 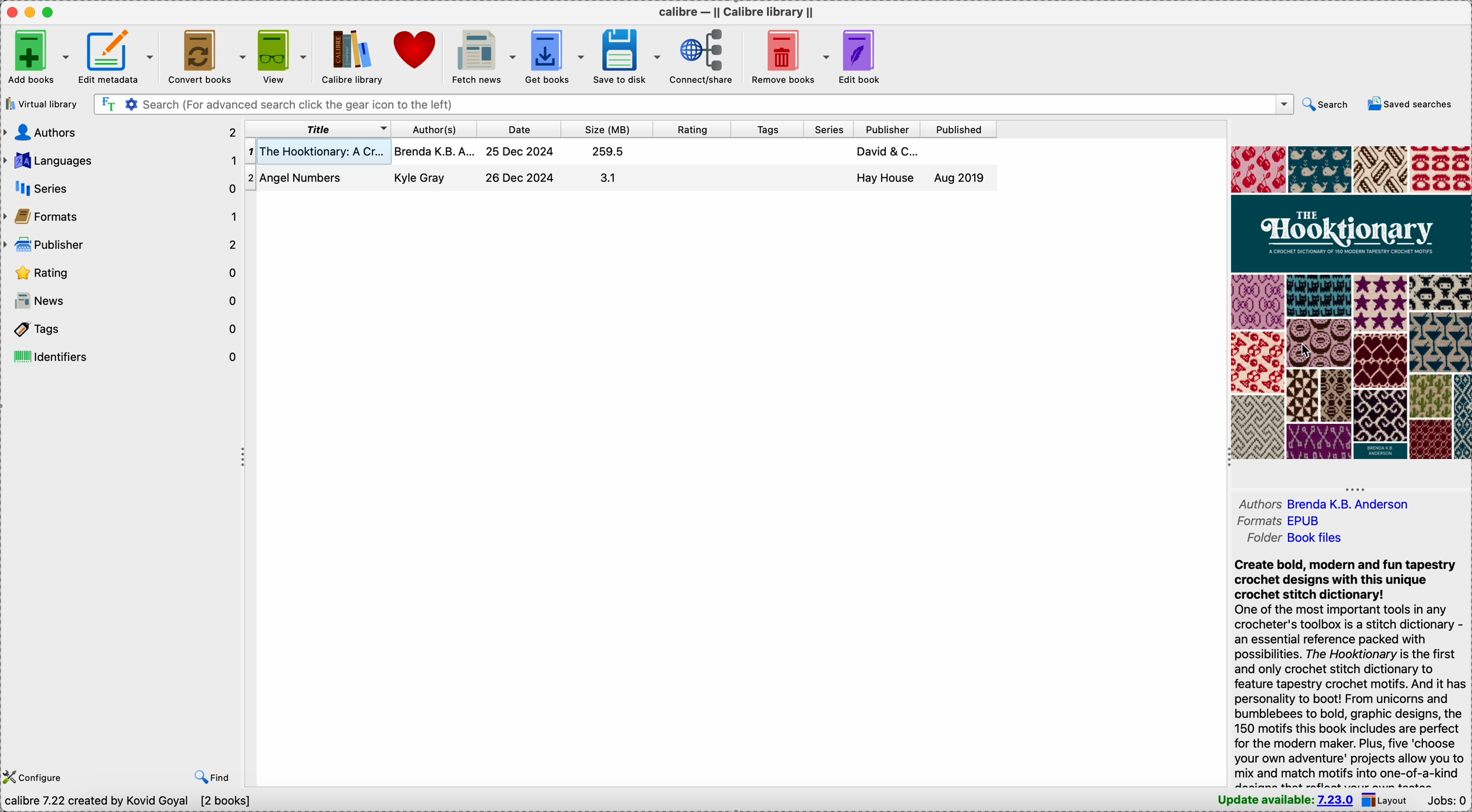 What do you see at coordinates (285, 55) in the screenshot?
I see `view` at bounding box center [285, 55].